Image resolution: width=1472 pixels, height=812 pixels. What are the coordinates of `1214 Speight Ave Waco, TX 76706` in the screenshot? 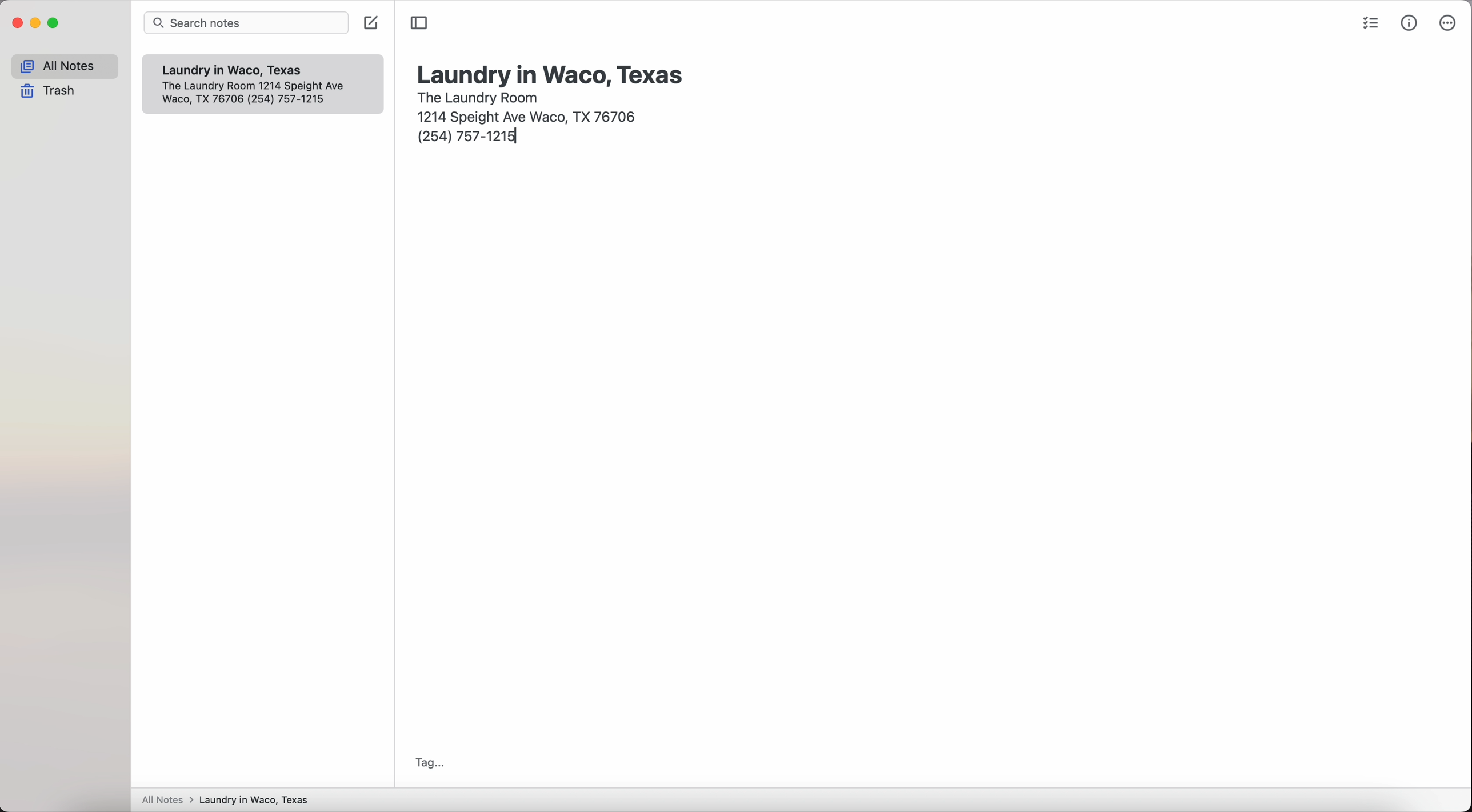 It's located at (261, 94).